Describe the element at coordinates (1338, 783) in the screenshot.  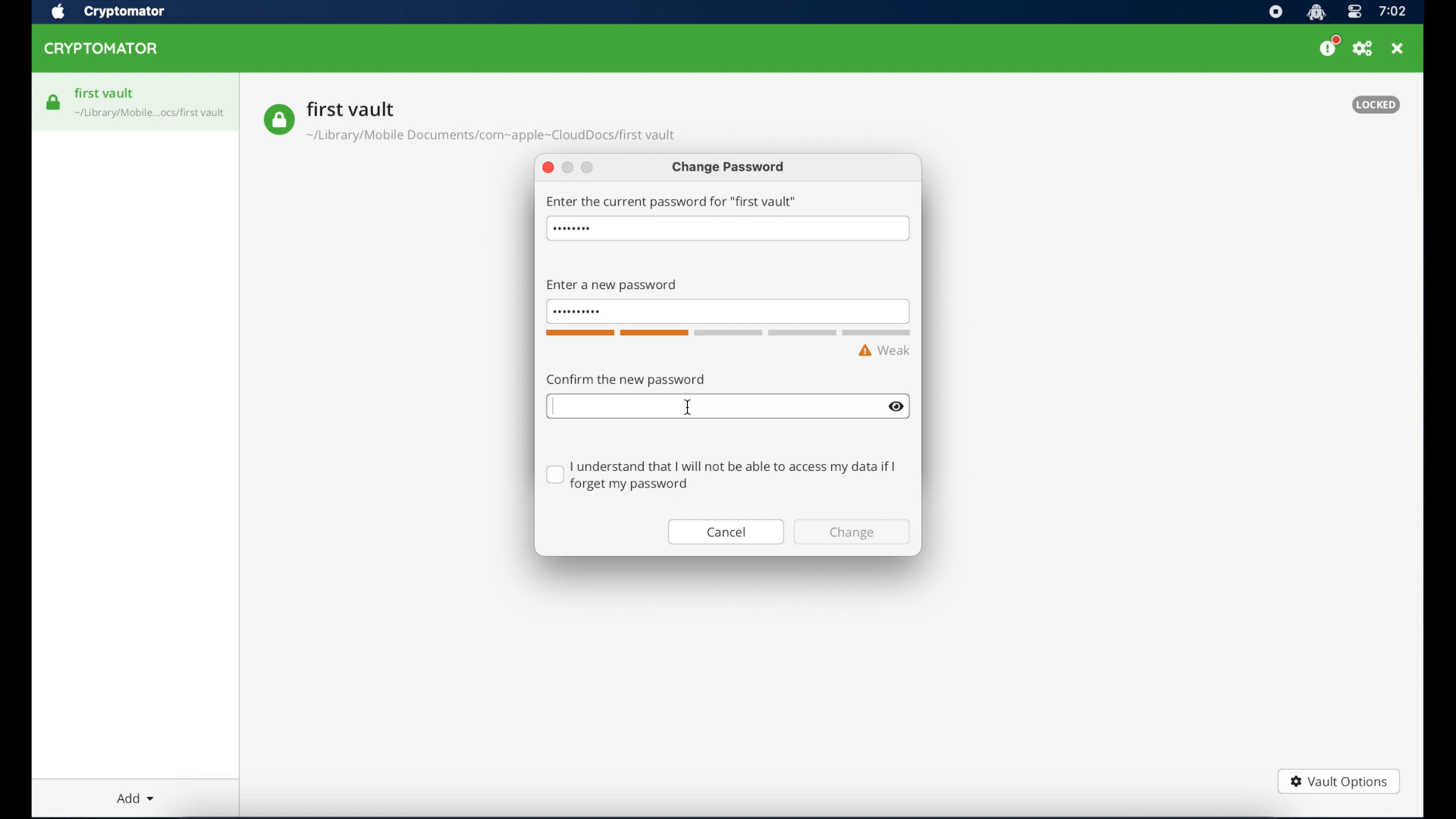
I see `vault options` at that location.